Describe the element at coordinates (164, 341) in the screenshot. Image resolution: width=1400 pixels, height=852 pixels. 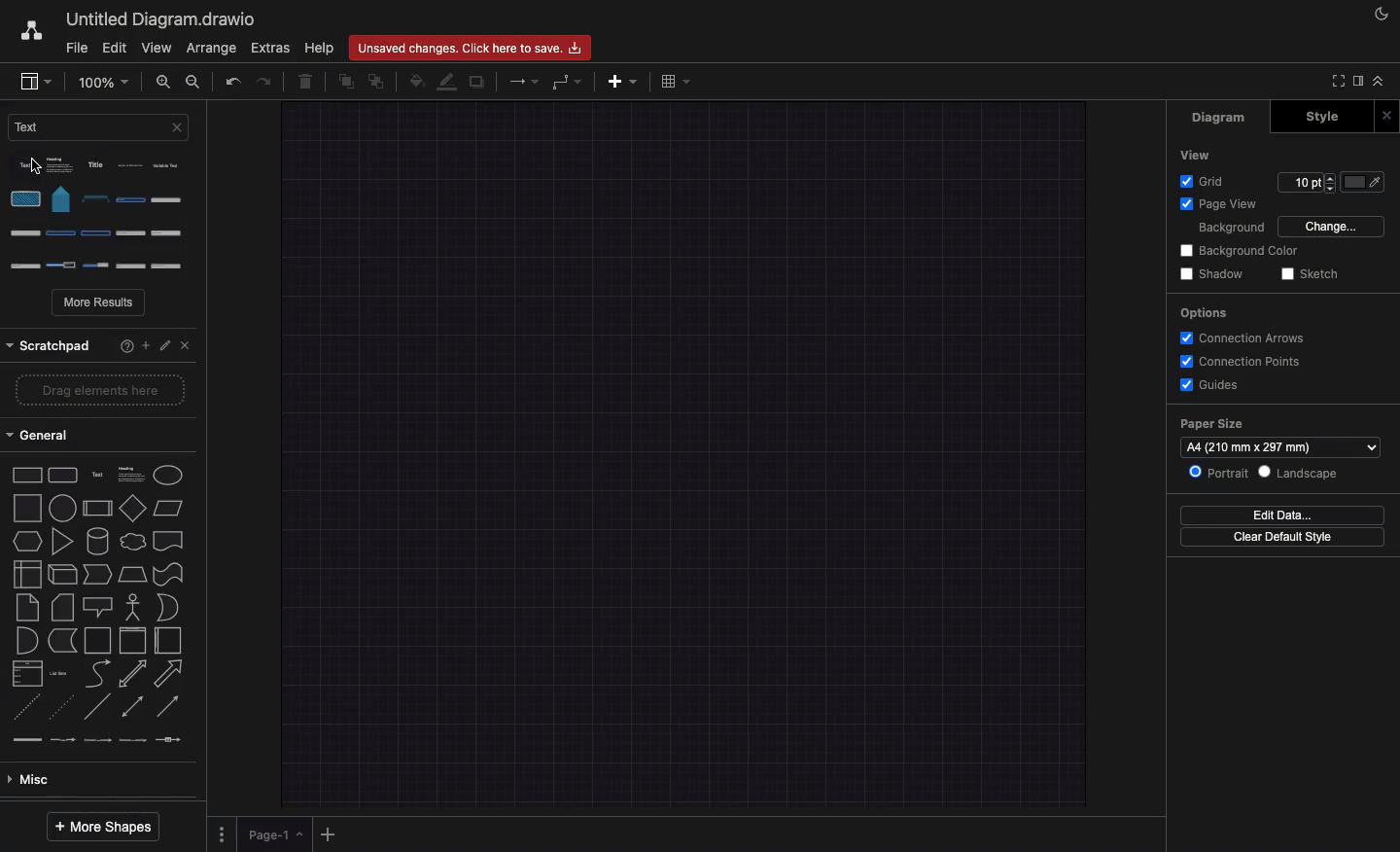
I see `Edit` at that location.